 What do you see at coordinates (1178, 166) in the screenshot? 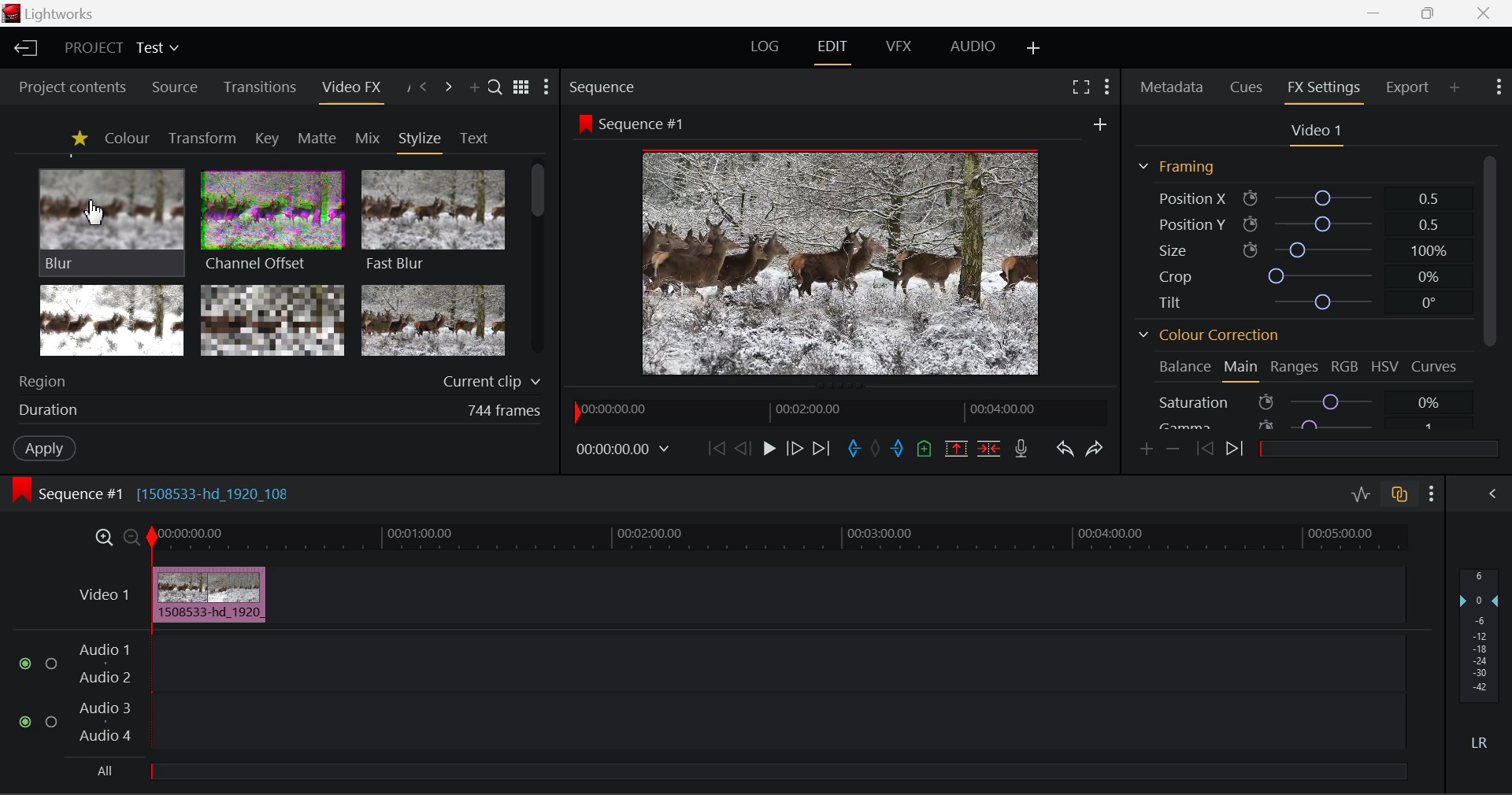
I see `Framing Section` at bounding box center [1178, 166].